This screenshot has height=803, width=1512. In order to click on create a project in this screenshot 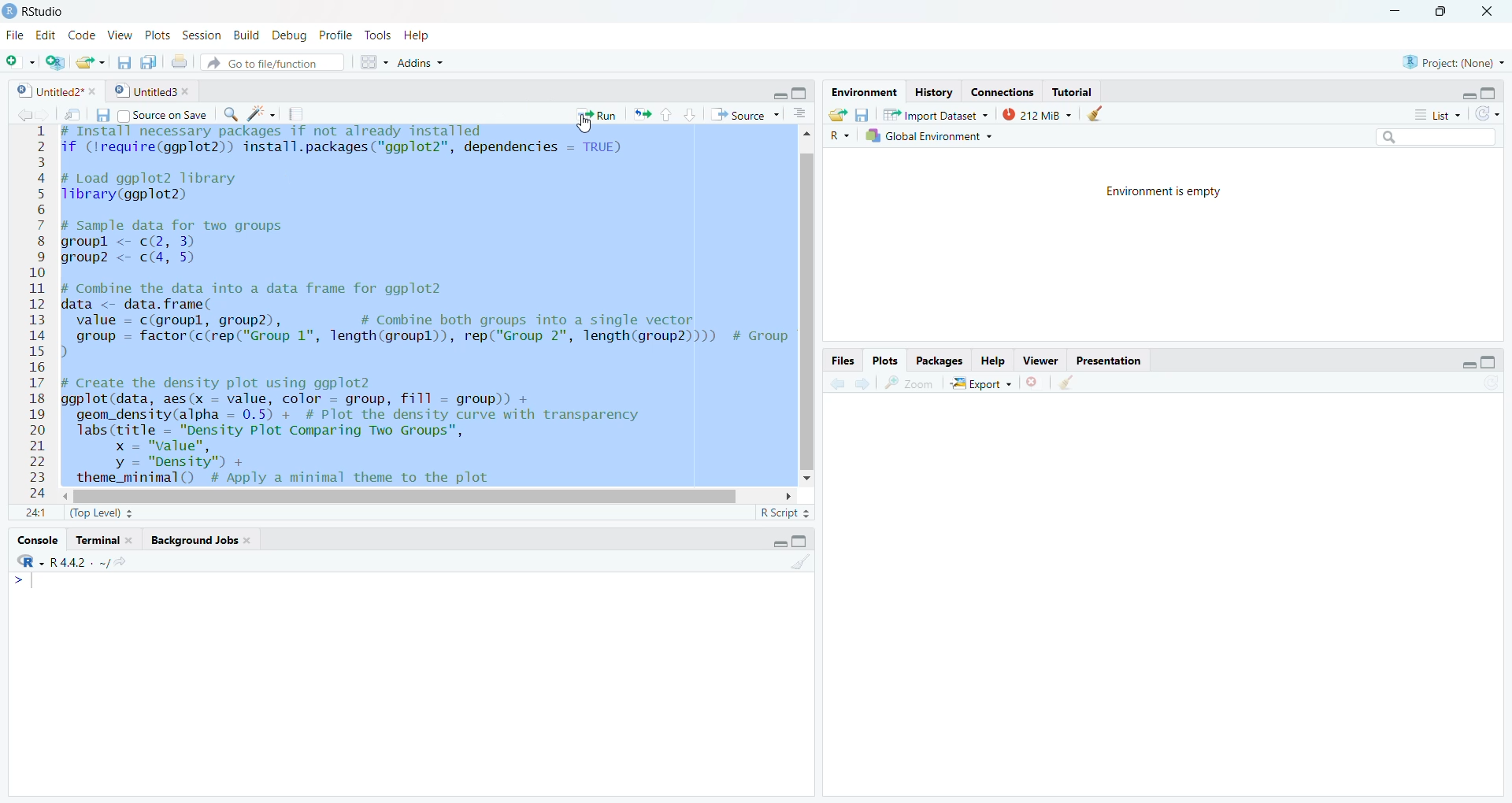, I will do `click(55, 61)`.